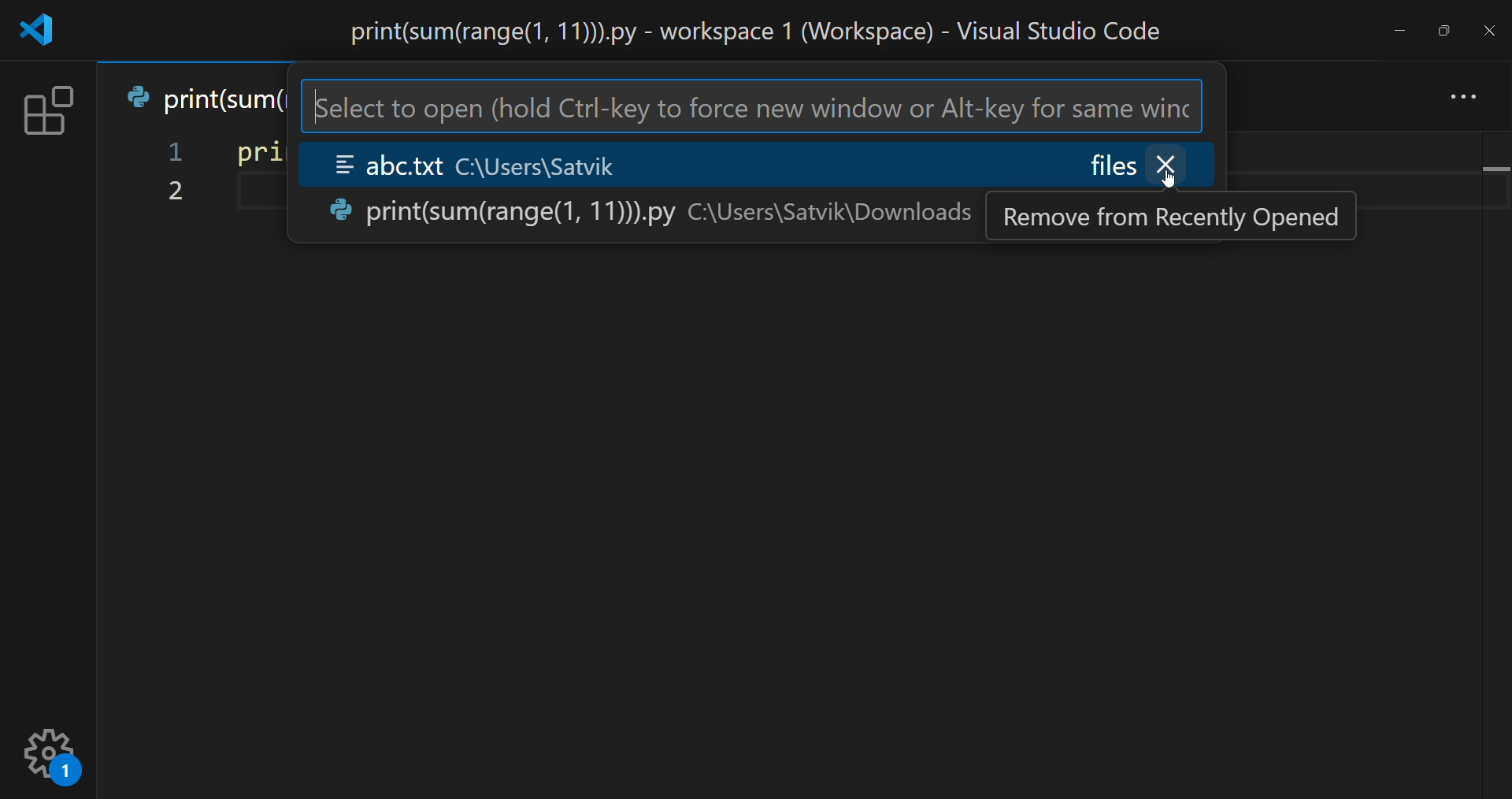  I want to click on extension, so click(48, 109).